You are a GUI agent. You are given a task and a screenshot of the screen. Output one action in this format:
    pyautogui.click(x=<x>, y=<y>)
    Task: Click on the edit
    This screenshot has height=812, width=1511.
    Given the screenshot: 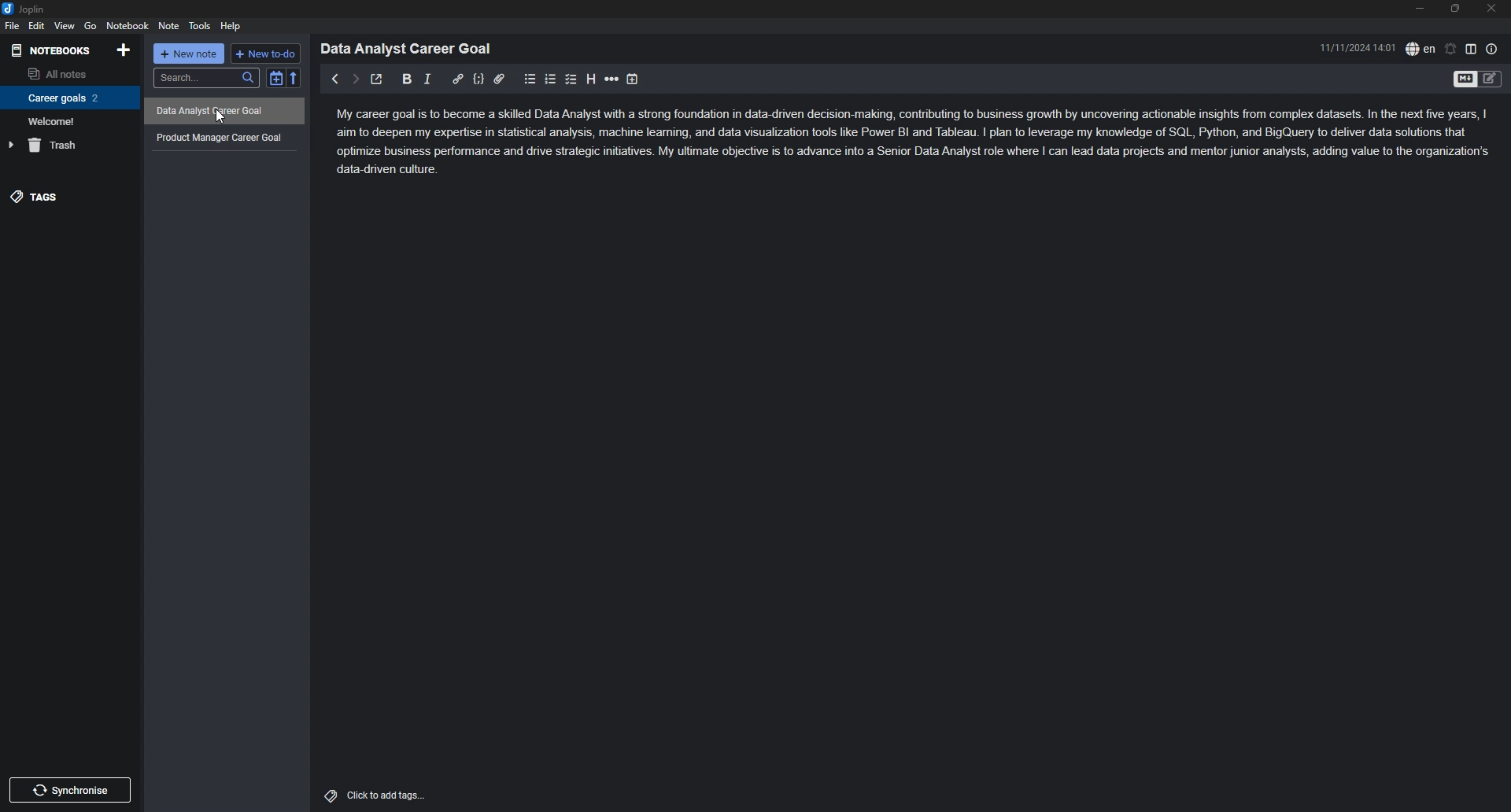 What is the action you would take?
    pyautogui.click(x=38, y=25)
    